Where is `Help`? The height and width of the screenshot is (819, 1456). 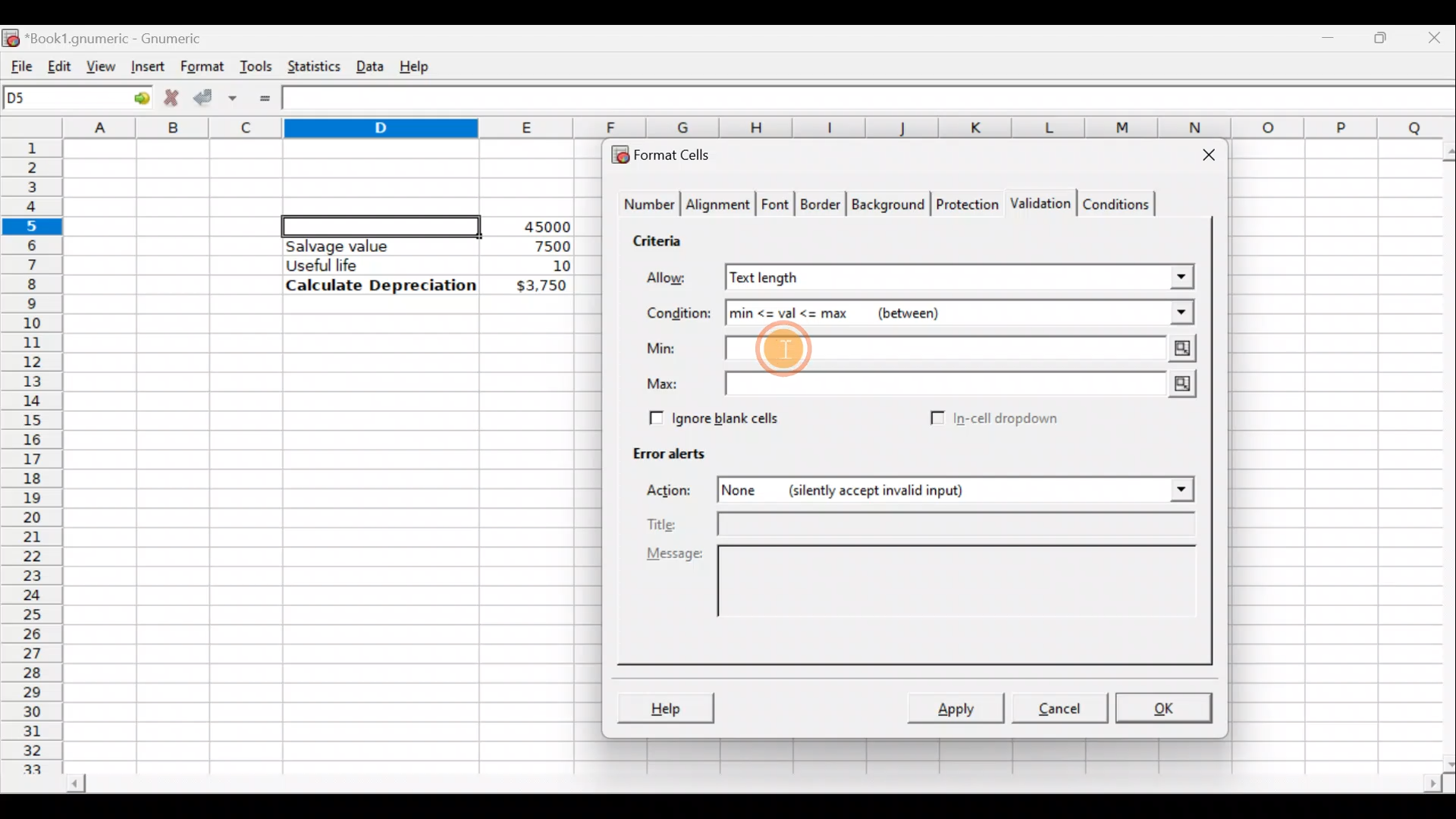
Help is located at coordinates (665, 710).